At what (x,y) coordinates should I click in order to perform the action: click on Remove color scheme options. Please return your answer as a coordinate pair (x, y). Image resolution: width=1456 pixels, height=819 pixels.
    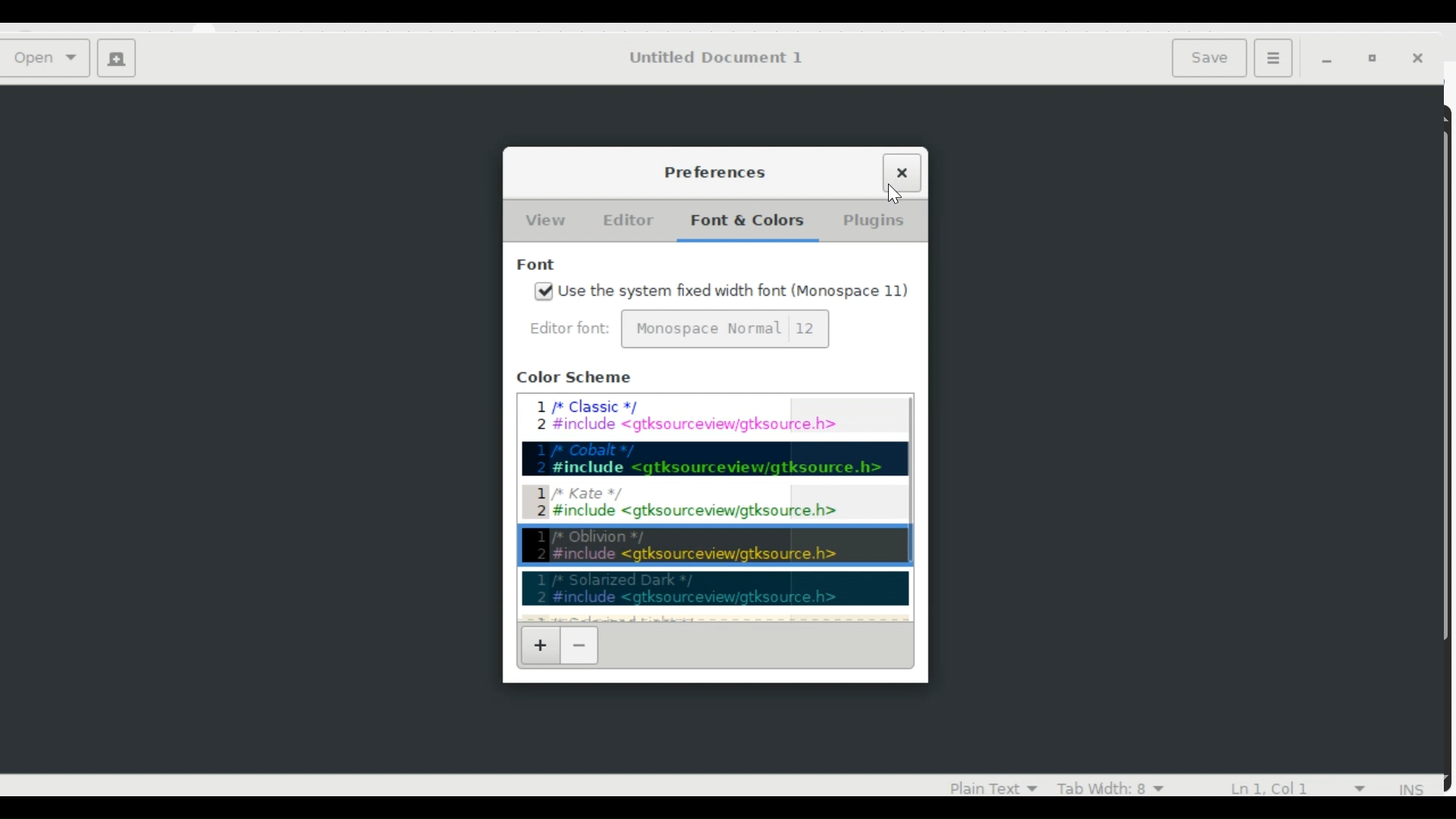
    Looking at the image, I should click on (580, 645).